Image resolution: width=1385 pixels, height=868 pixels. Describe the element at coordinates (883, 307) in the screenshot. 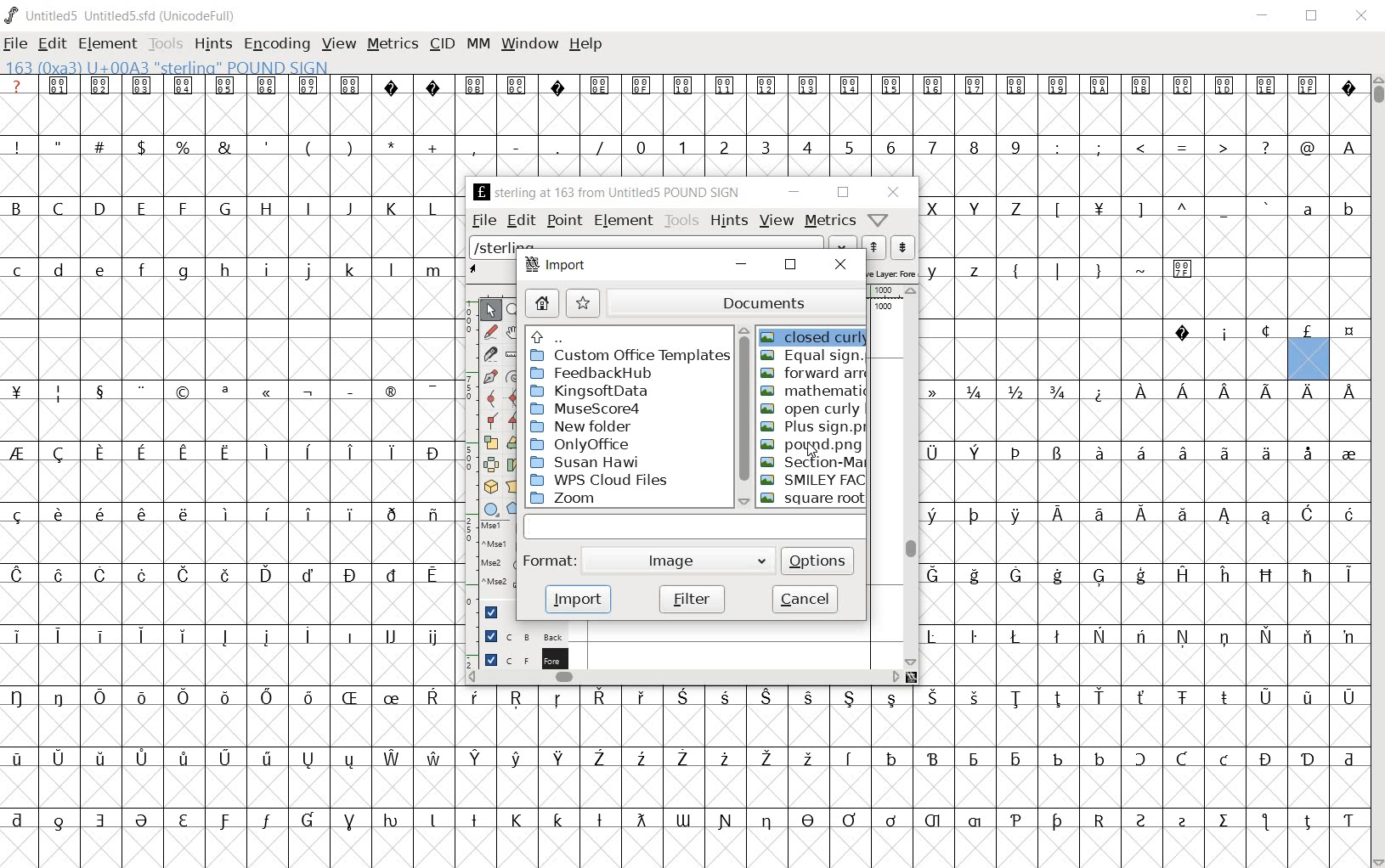

I see `1000` at that location.